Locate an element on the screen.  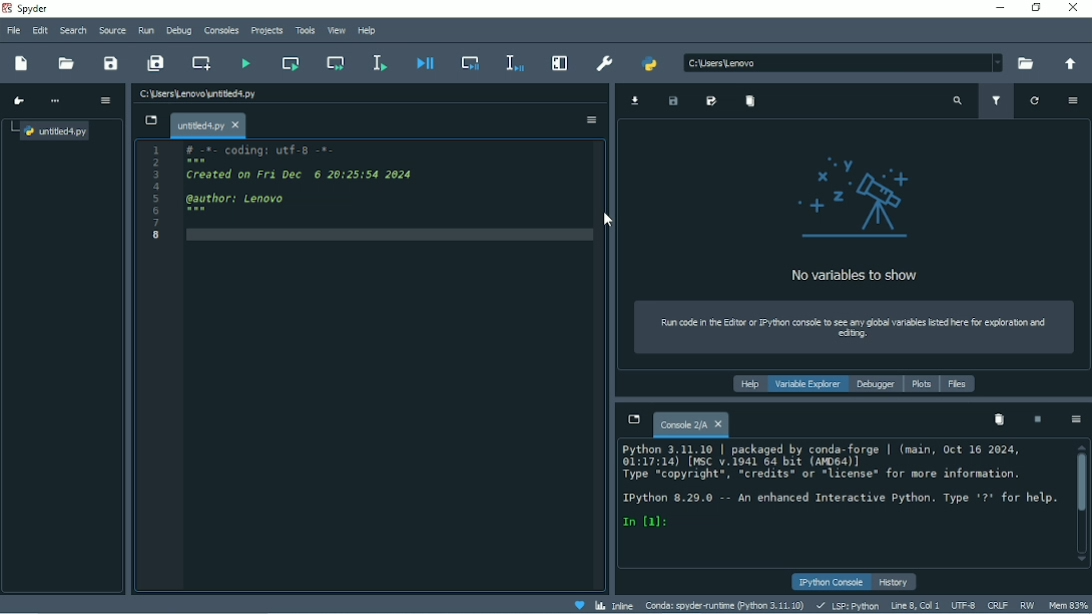
Line 8, Col 1 is located at coordinates (916, 604).